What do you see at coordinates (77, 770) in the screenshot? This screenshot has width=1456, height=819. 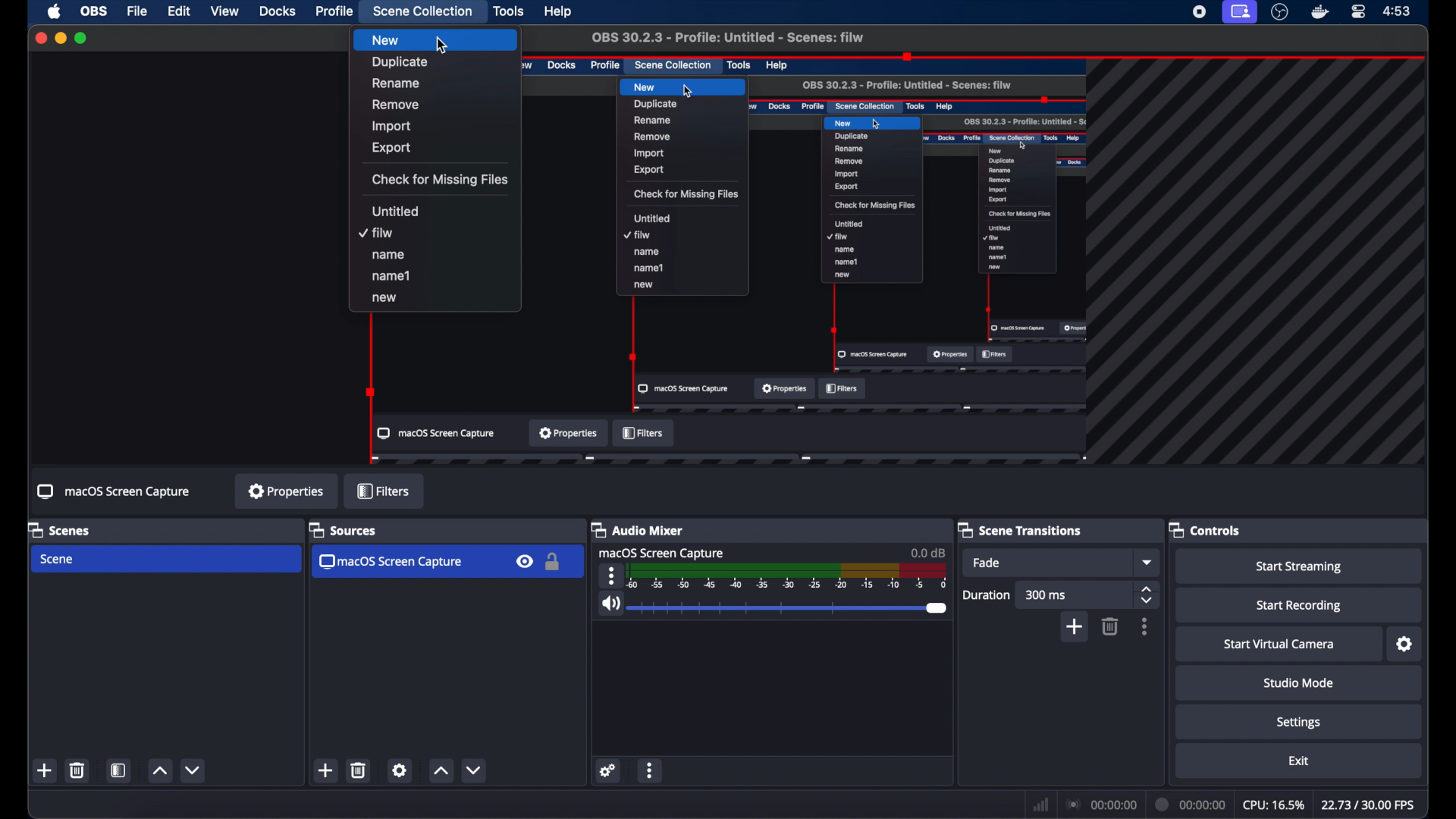 I see `trash` at bounding box center [77, 770].